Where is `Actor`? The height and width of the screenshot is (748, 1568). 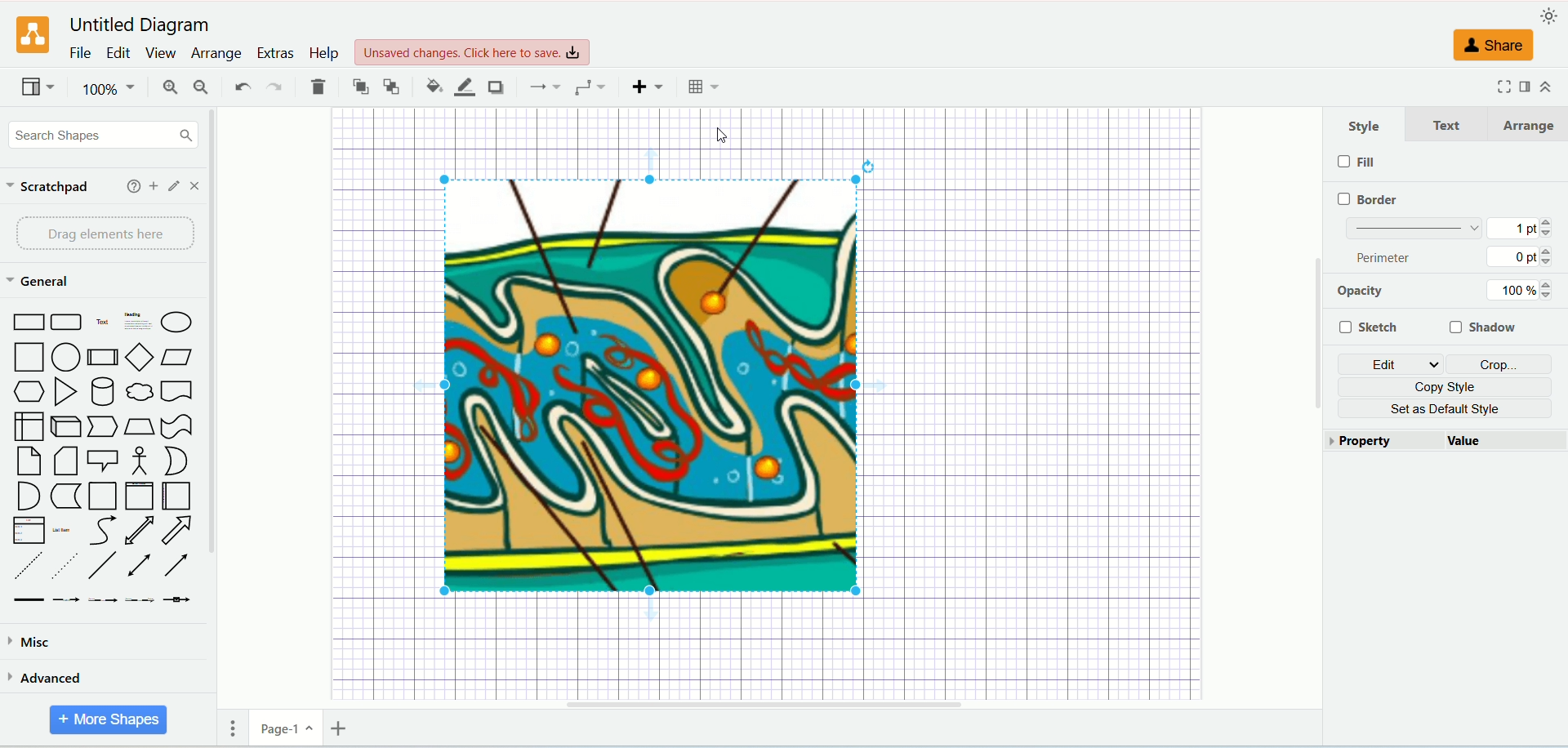
Actor is located at coordinates (138, 461).